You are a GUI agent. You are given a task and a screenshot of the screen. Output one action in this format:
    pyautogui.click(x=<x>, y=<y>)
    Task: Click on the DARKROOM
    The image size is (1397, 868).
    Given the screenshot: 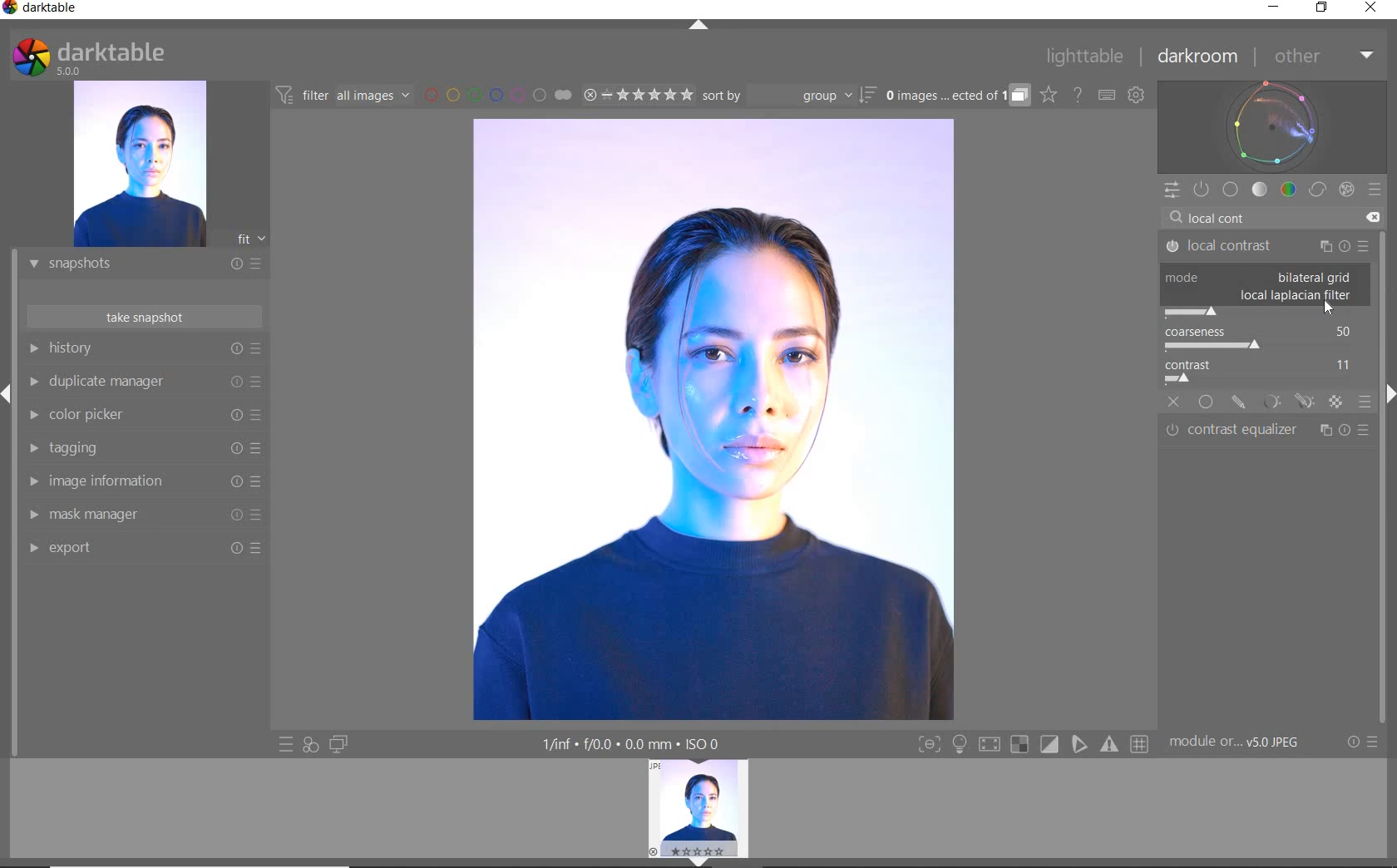 What is the action you would take?
    pyautogui.click(x=1198, y=57)
    